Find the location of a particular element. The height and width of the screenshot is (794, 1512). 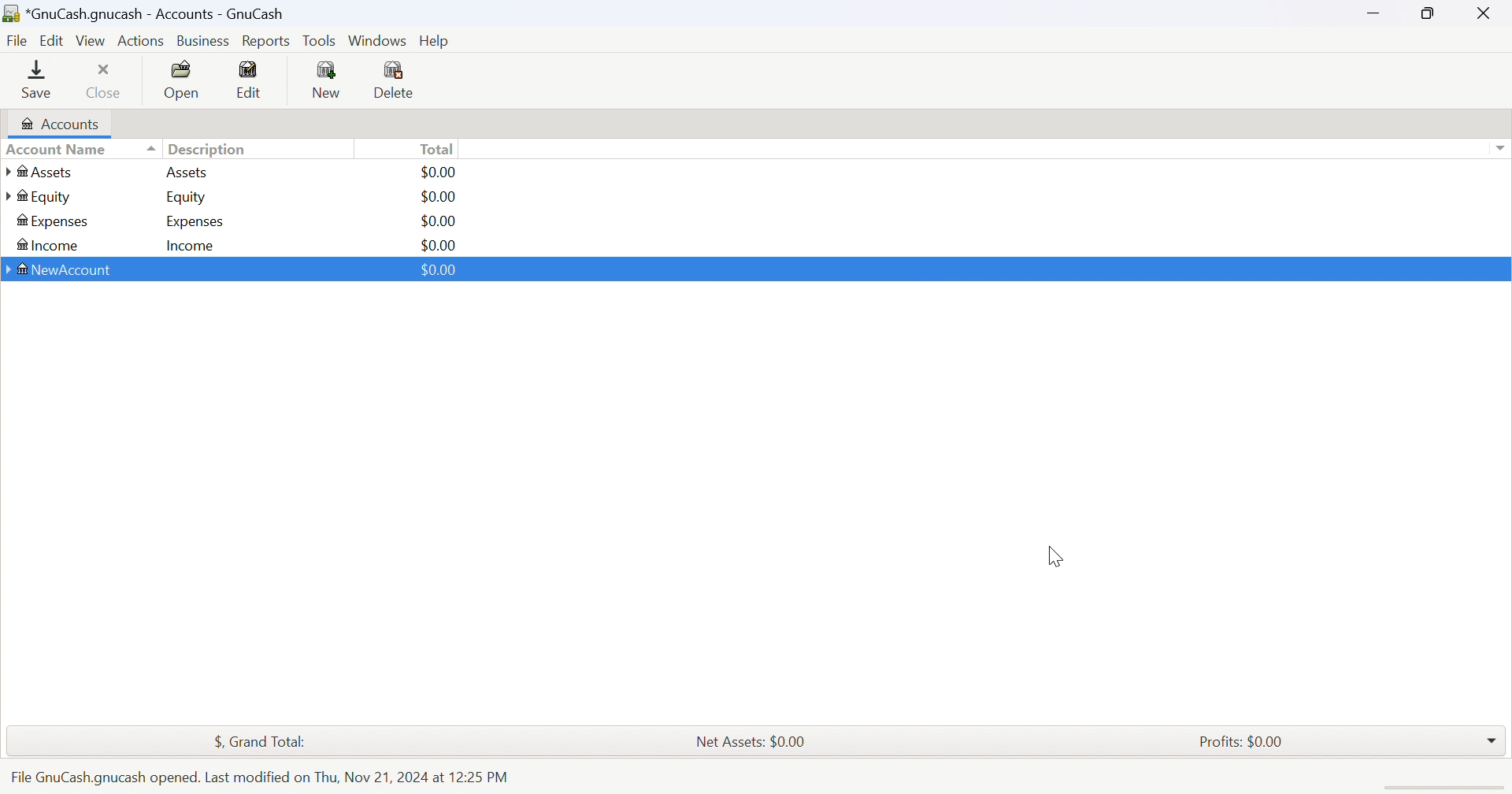

Equity is located at coordinates (39, 197).